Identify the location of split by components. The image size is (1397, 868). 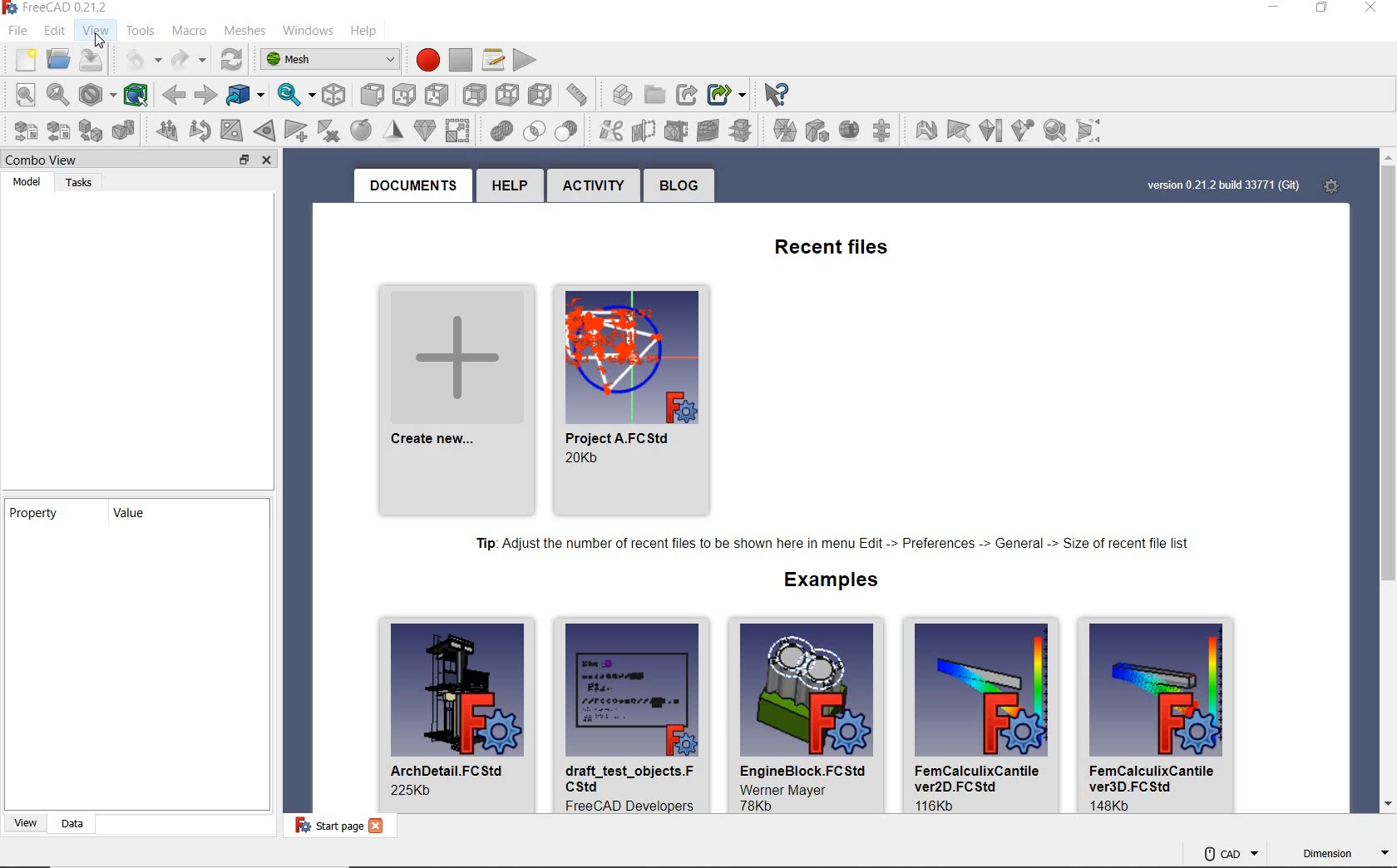
(785, 130).